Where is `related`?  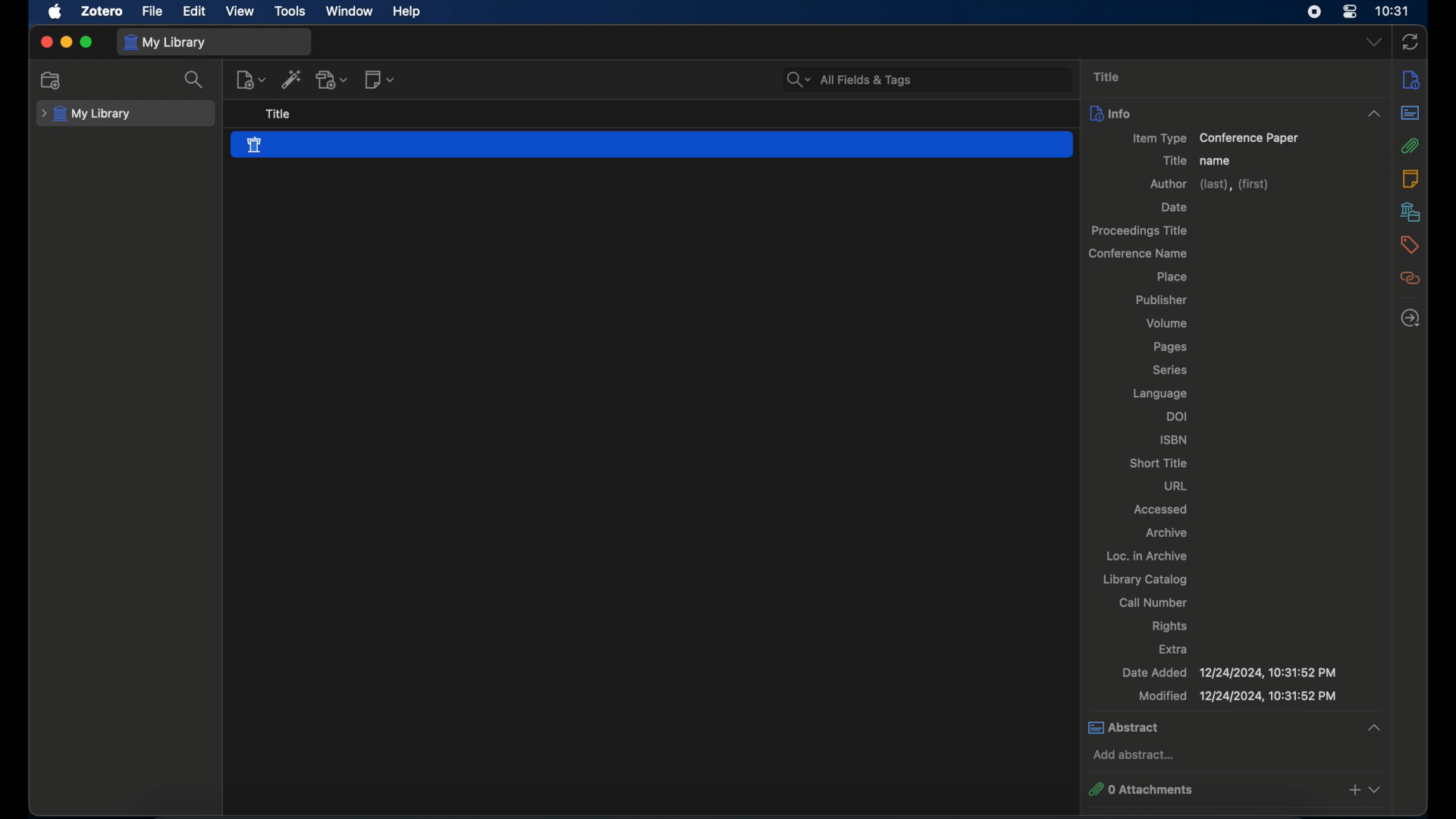
related is located at coordinates (1410, 278).